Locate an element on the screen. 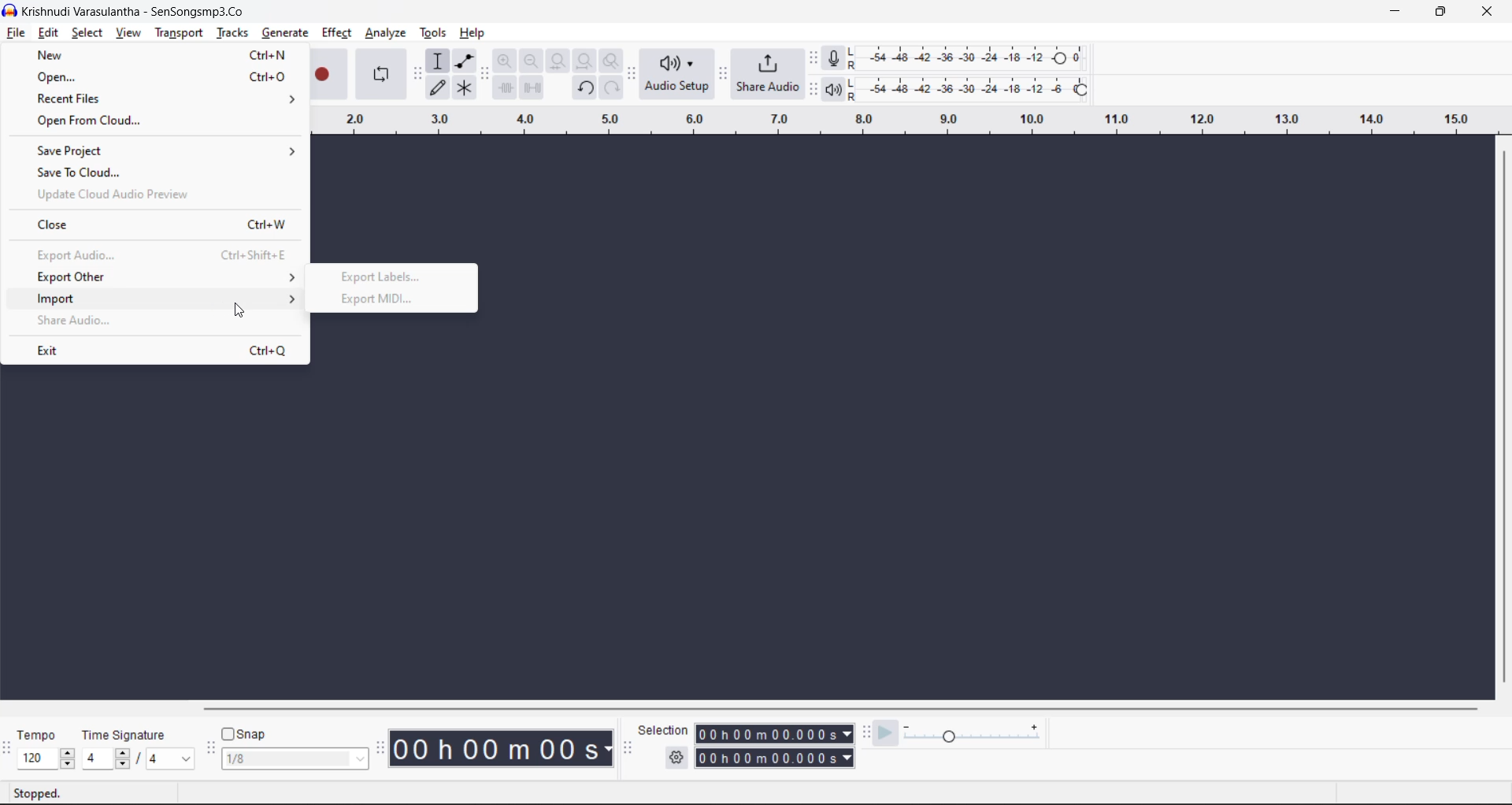 Image resolution: width=1512 pixels, height=805 pixels. export MIDL is located at coordinates (373, 299).